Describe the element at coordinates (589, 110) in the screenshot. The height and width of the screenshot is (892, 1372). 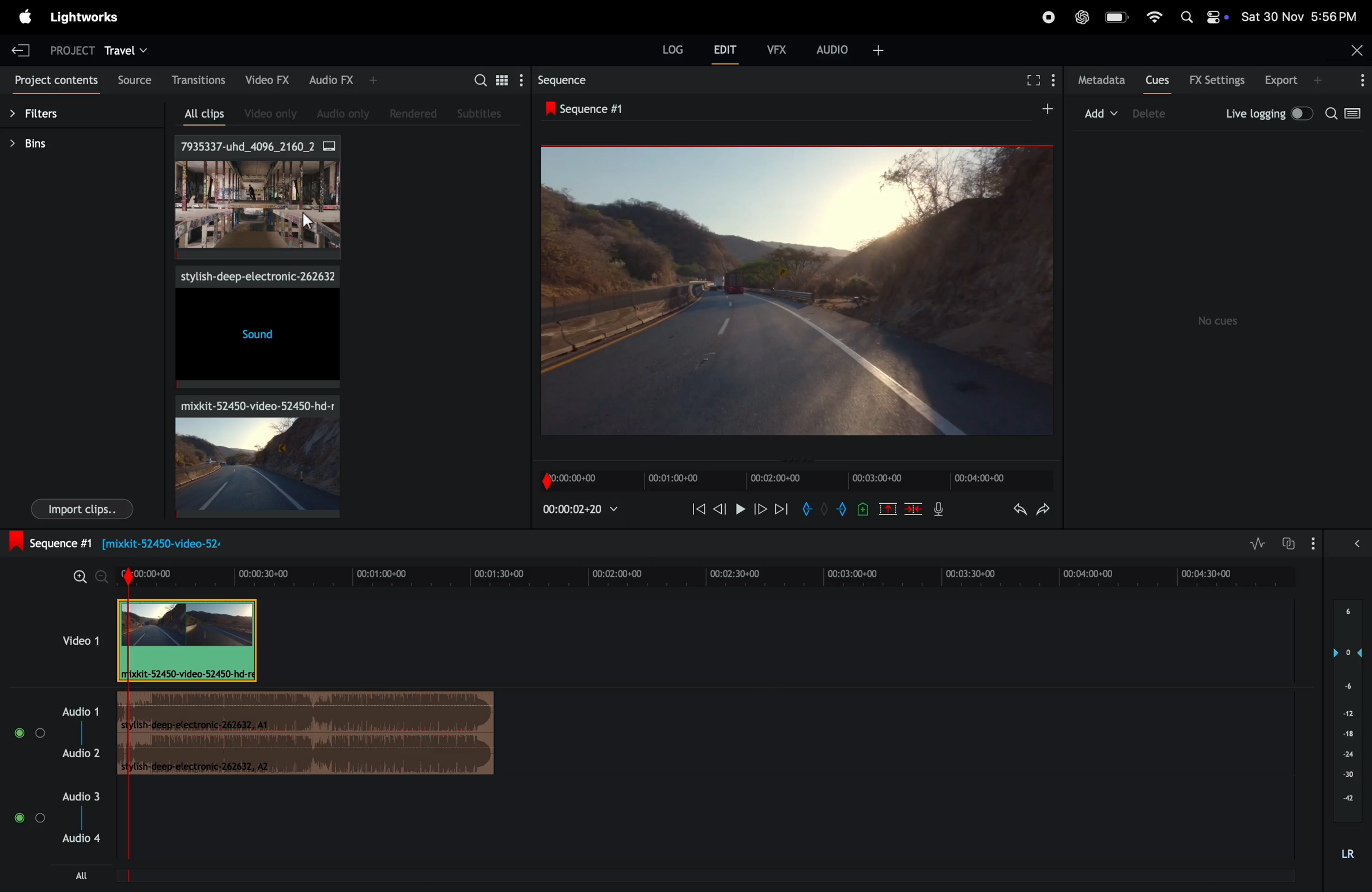
I see `sequence #1` at that location.